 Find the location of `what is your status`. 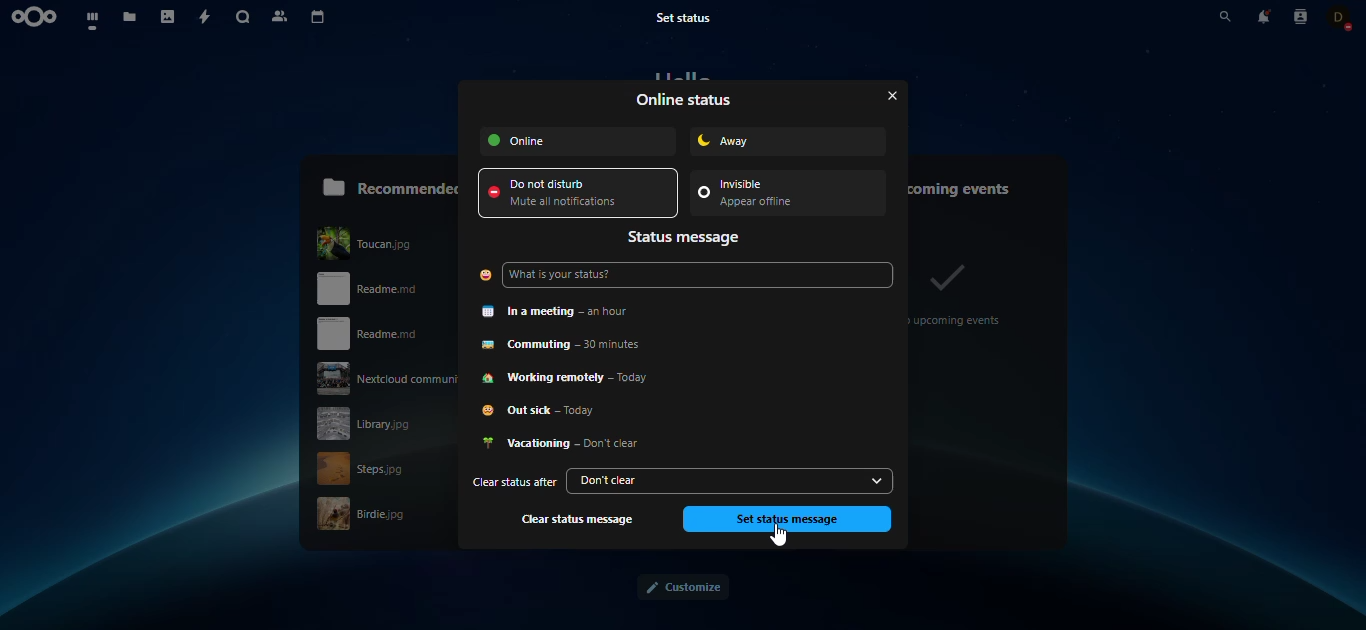

what is your status is located at coordinates (574, 277).